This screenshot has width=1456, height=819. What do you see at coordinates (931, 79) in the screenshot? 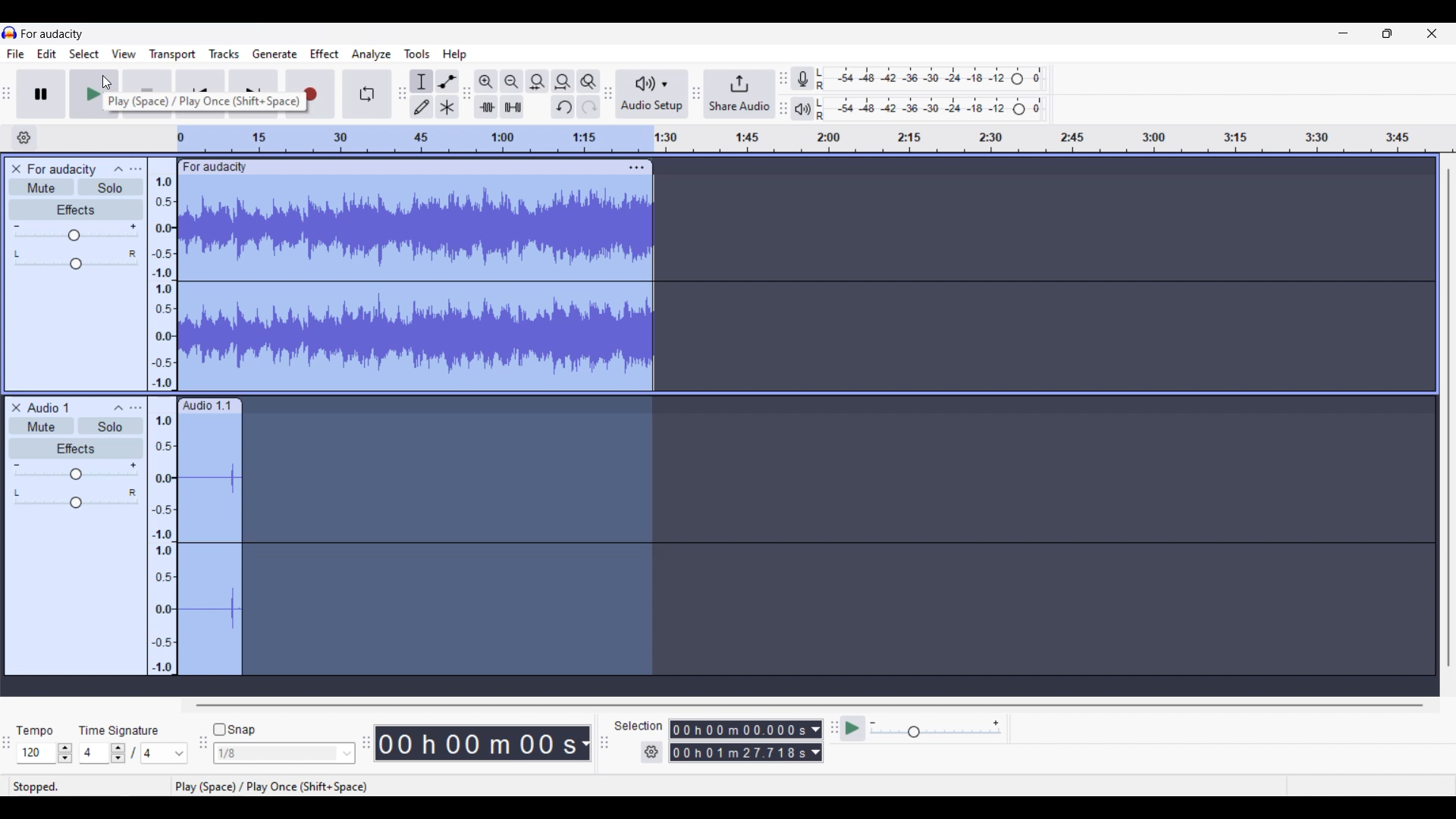
I see `Recording level` at bounding box center [931, 79].